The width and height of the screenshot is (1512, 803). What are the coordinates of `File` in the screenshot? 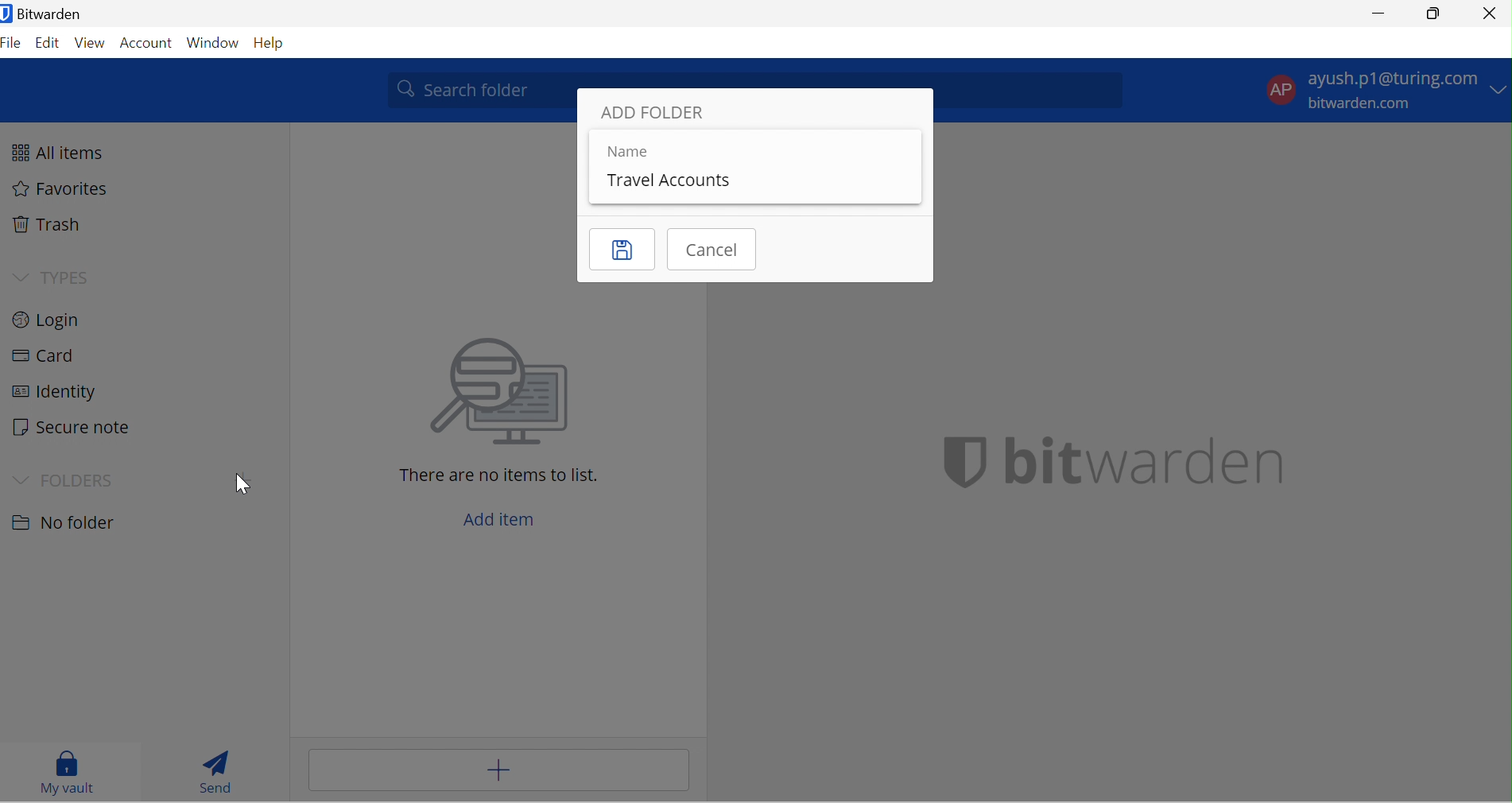 It's located at (14, 44).